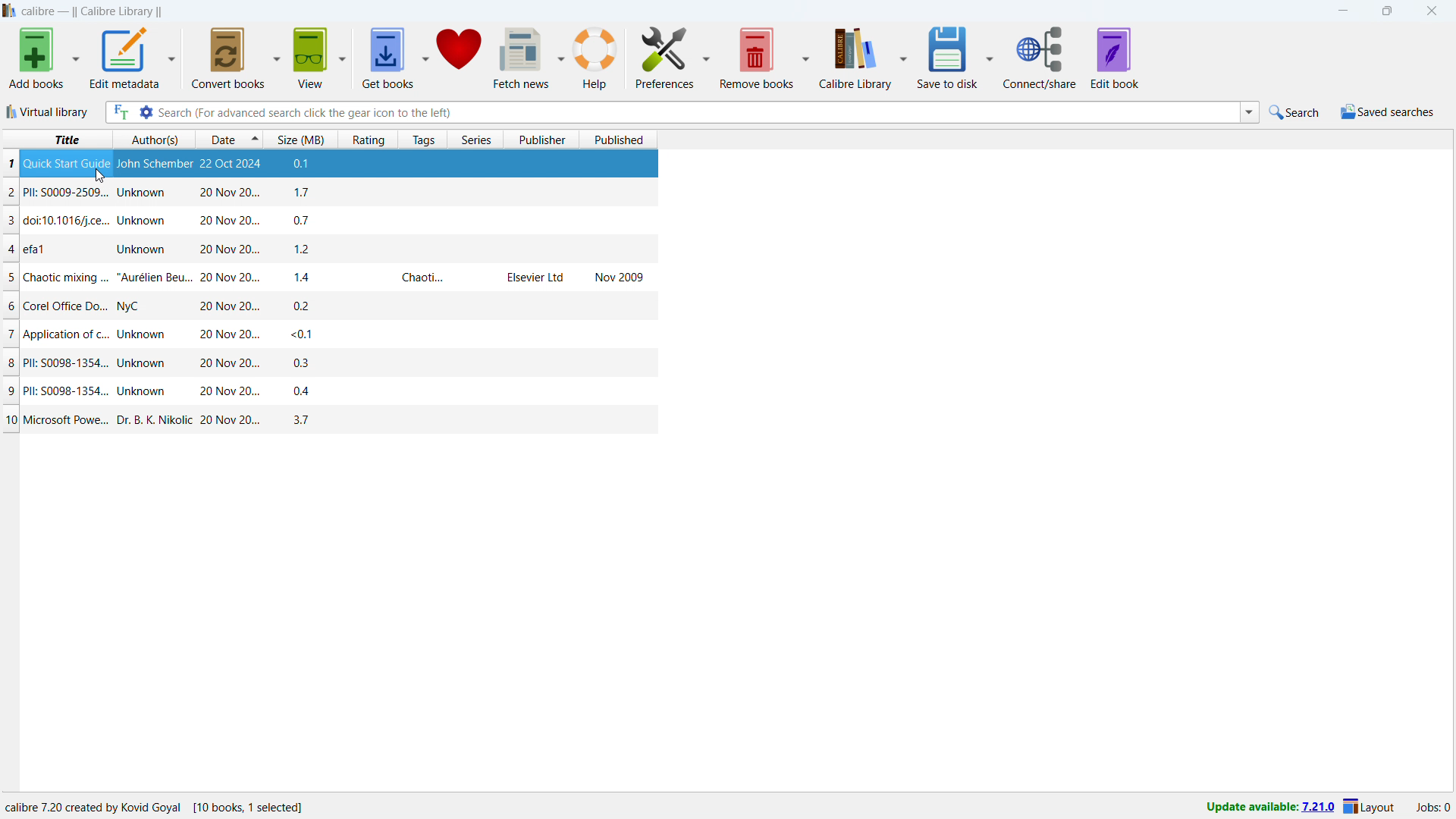  I want to click on convert books, so click(228, 57).